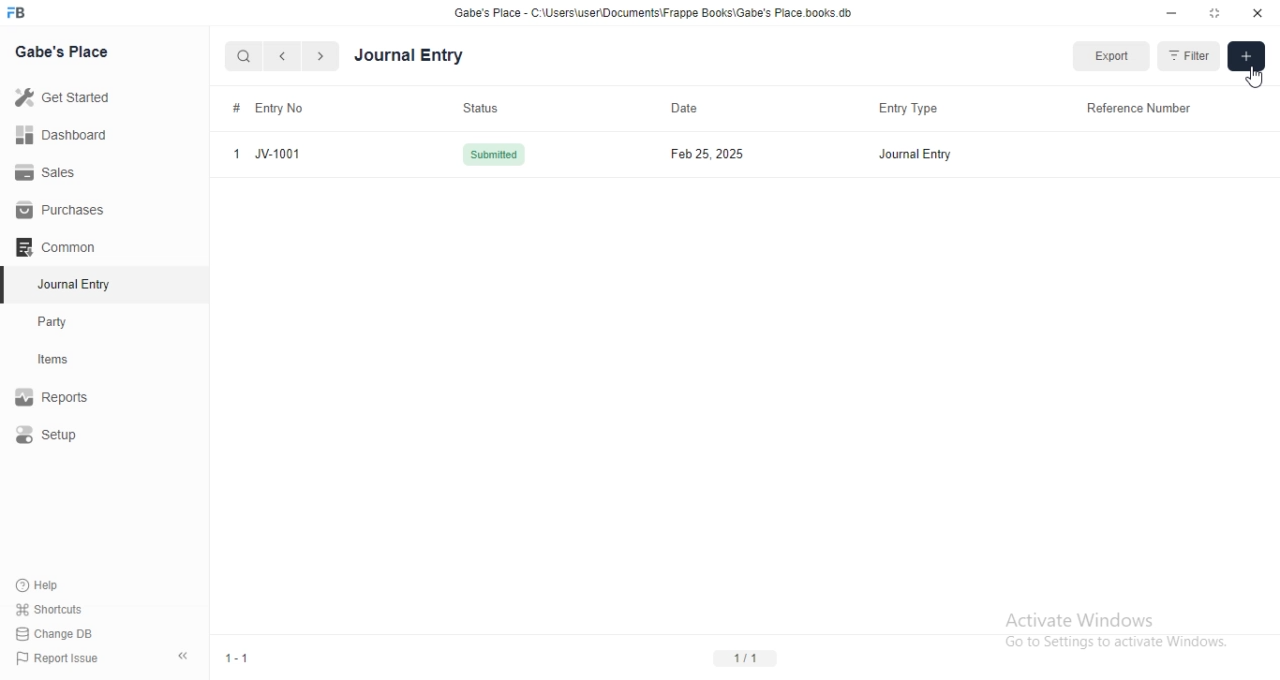  I want to click on JV-1001, so click(277, 154).